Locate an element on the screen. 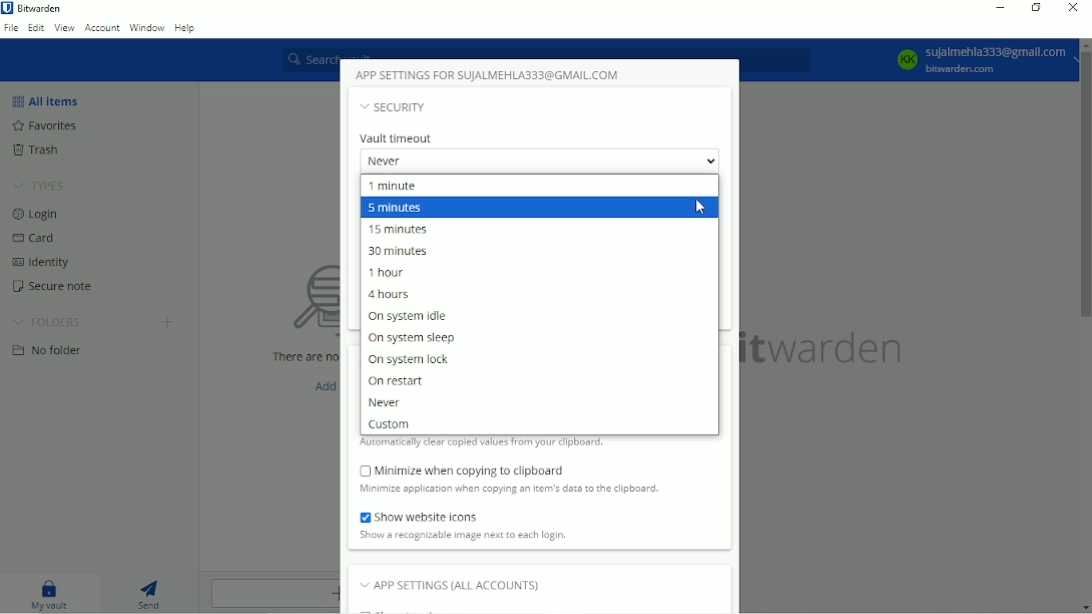 The height and width of the screenshot is (614, 1092). Send is located at coordinates (149, 594).